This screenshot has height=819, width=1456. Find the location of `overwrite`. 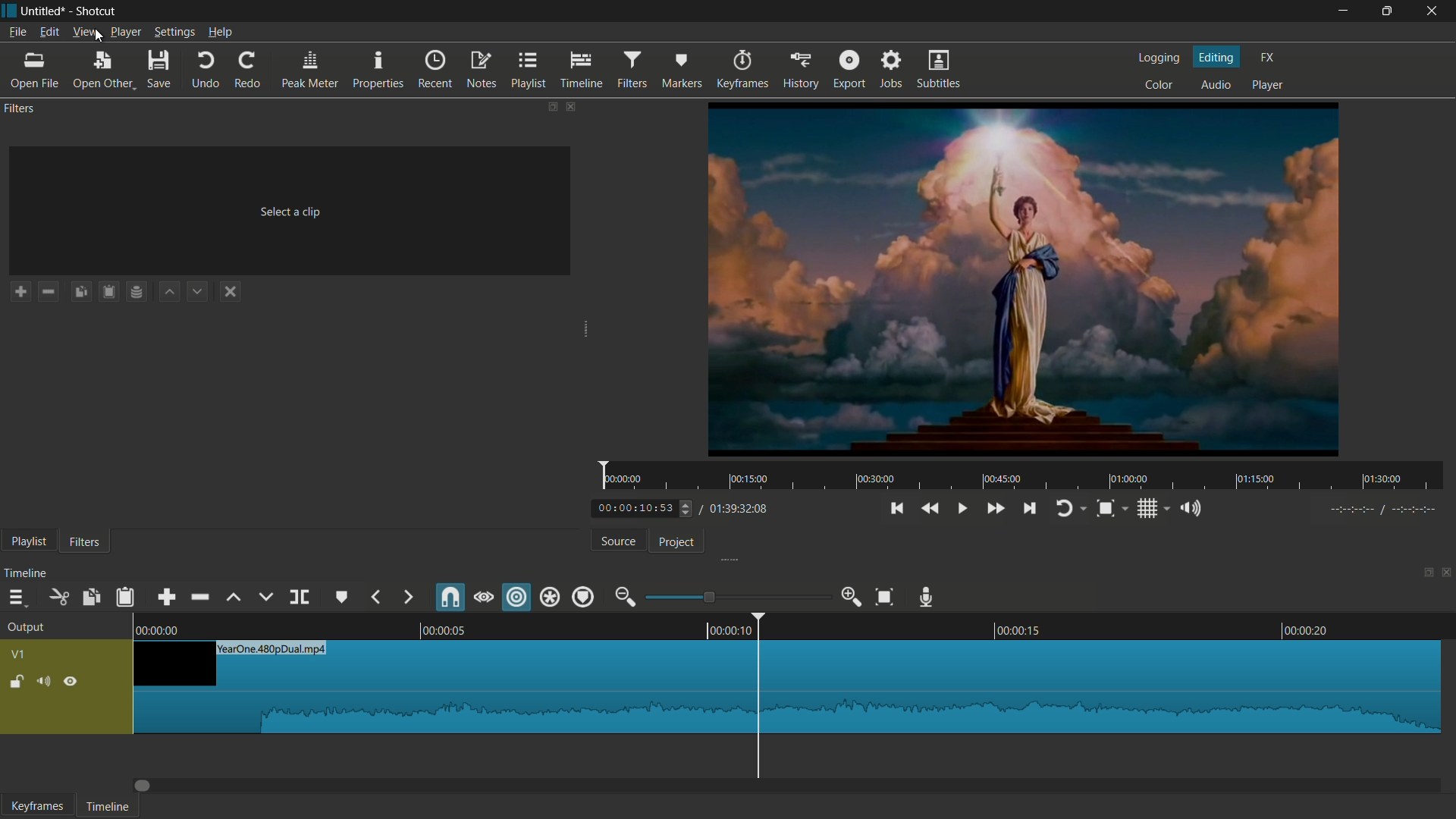

overwrite is located at coordinates (265, 598).